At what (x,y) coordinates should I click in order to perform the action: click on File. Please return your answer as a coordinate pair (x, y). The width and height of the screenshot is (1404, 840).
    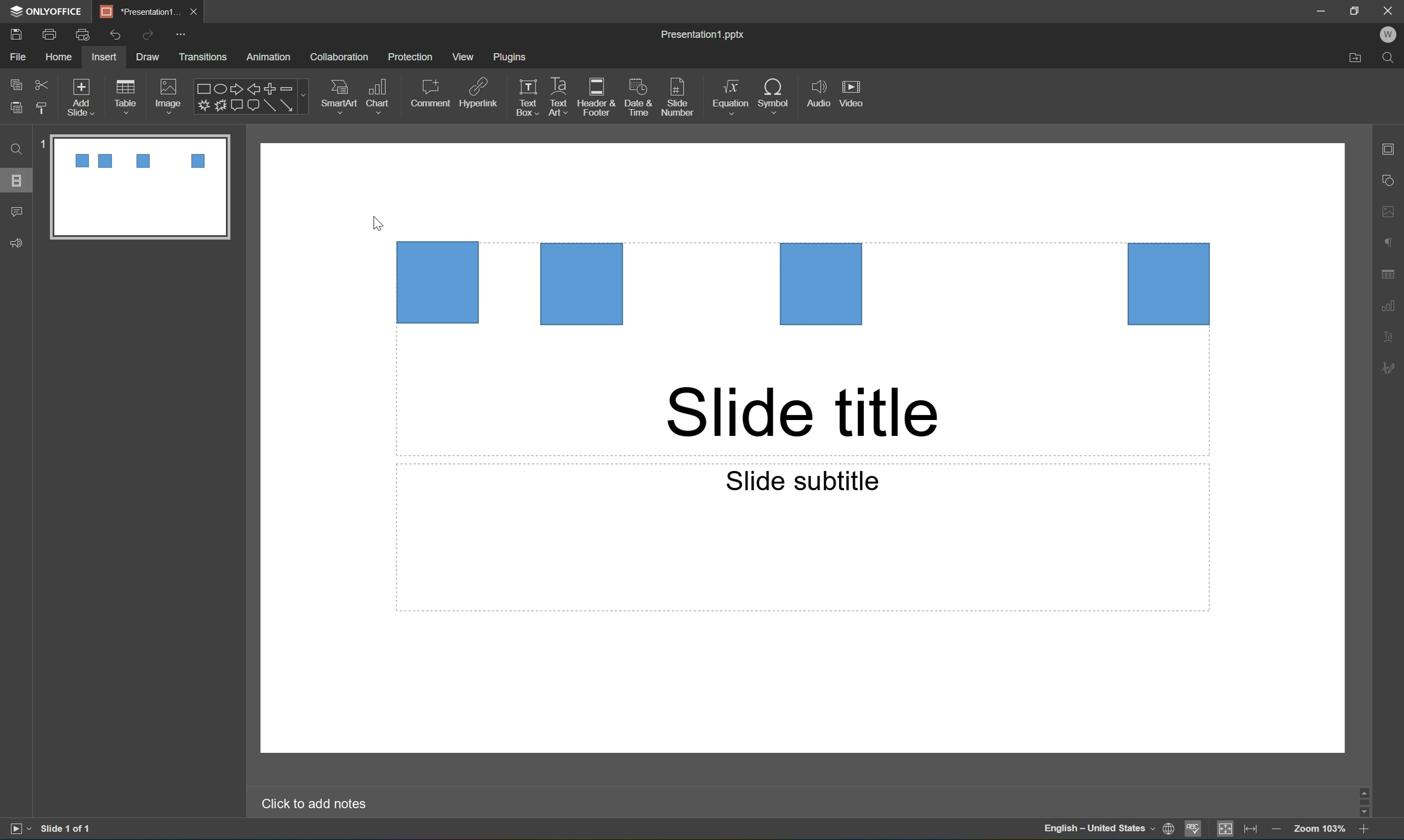
    Looking at the image, I should click on (20, 58).